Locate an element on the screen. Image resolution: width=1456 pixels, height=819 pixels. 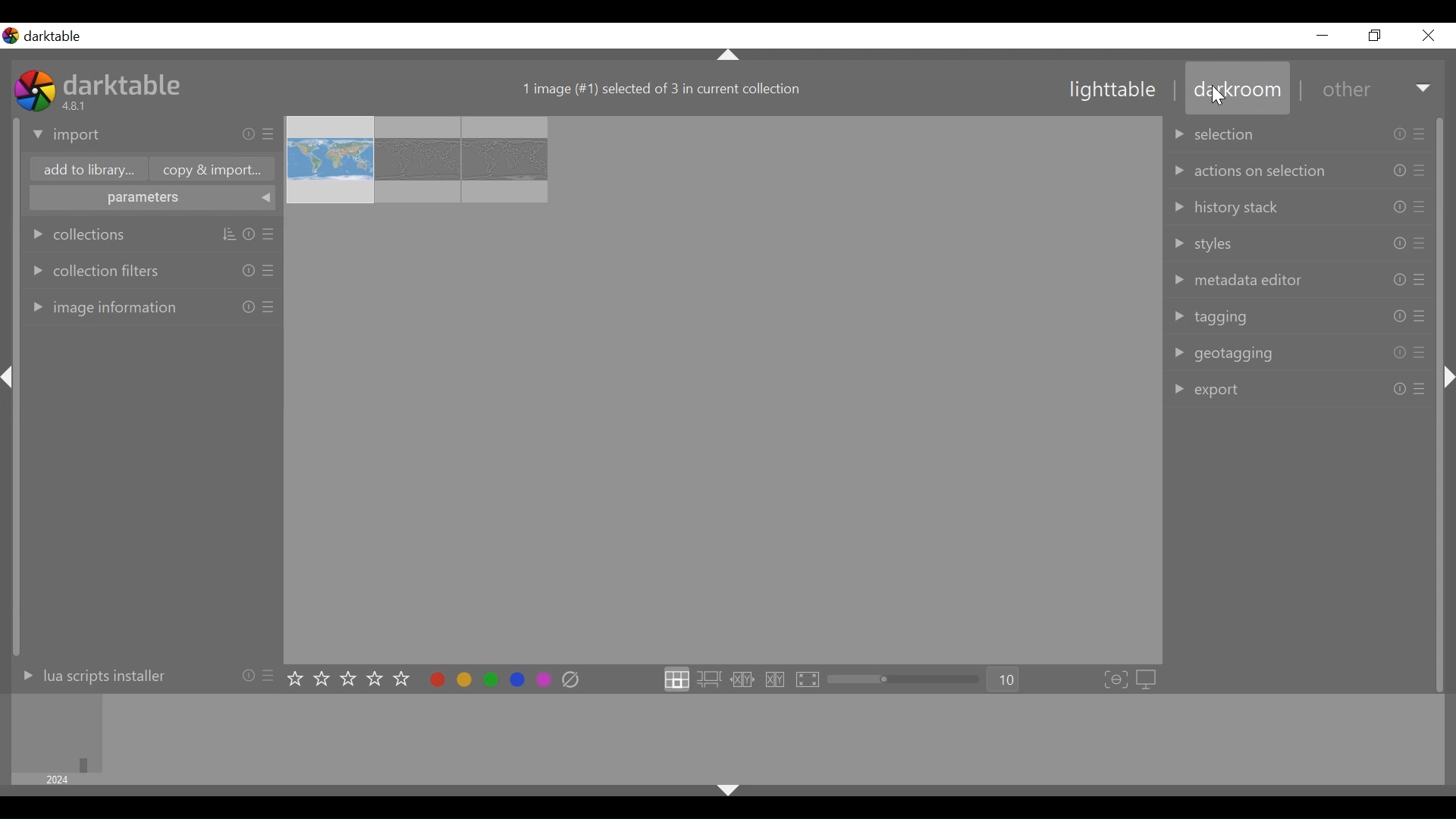
 is located at coordinates (729, 55).